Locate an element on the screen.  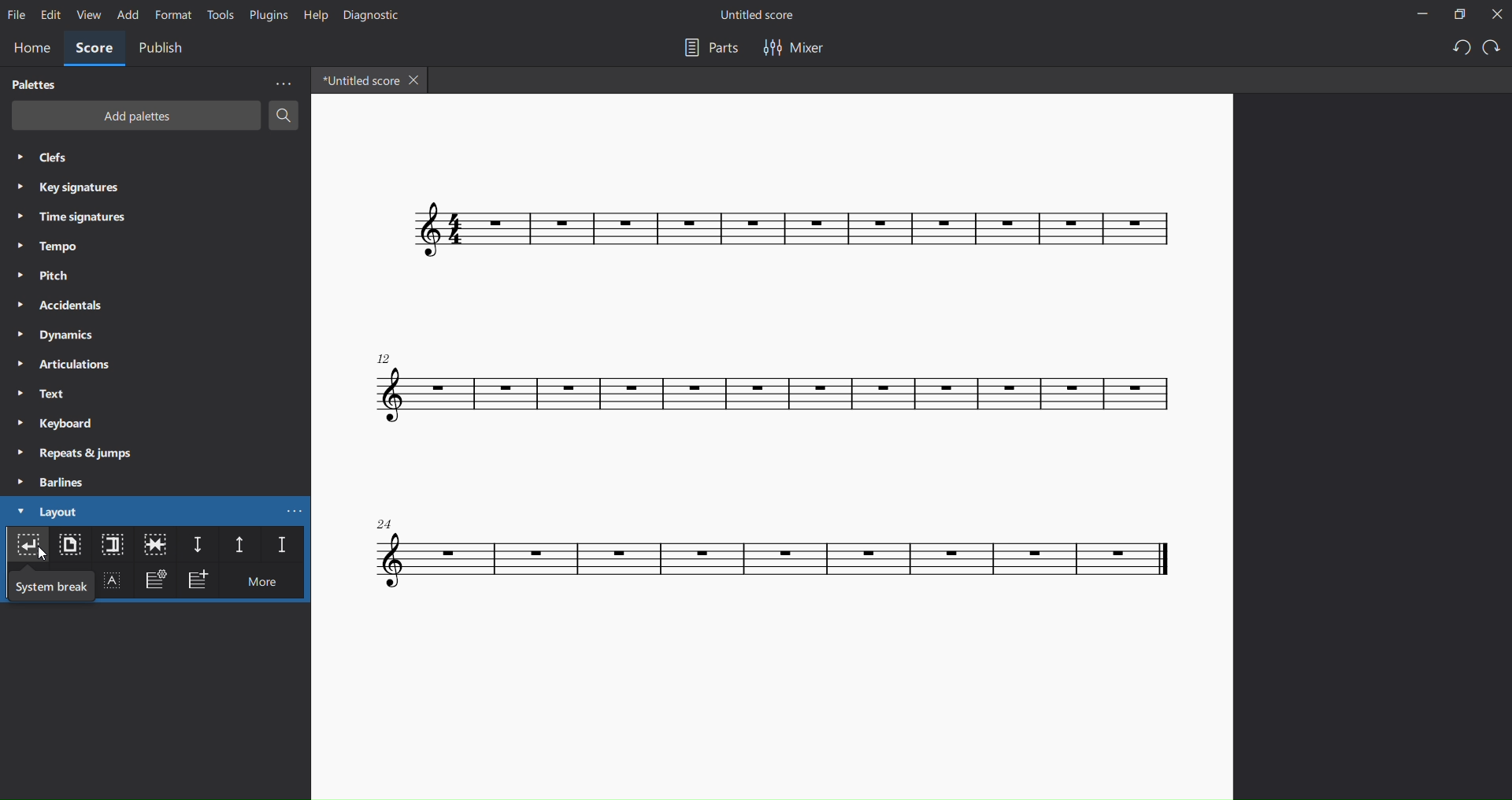
mixer is located at coordinates (793, 47).